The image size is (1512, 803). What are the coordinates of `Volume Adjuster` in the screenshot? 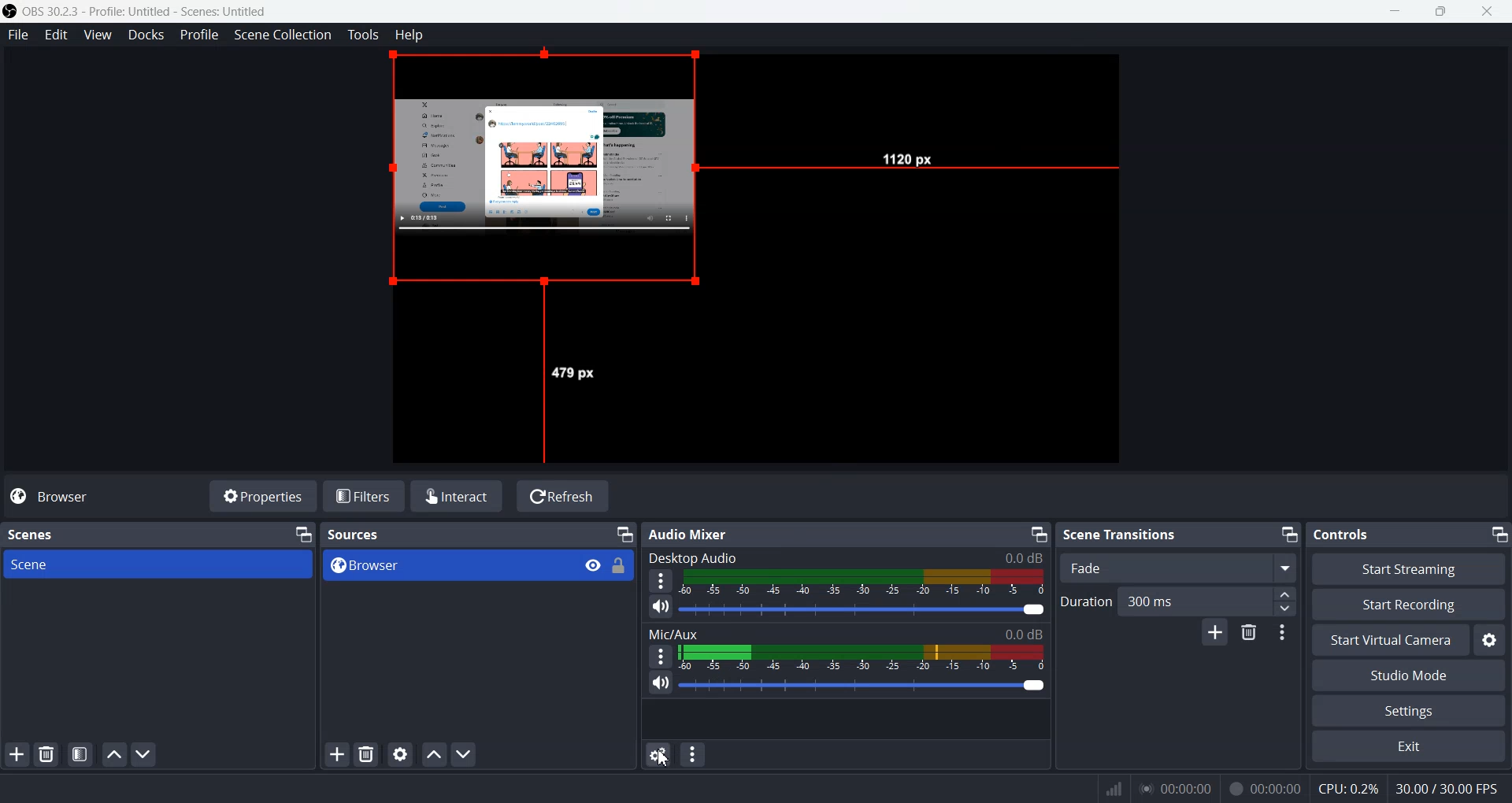 It's located at (862, 685).